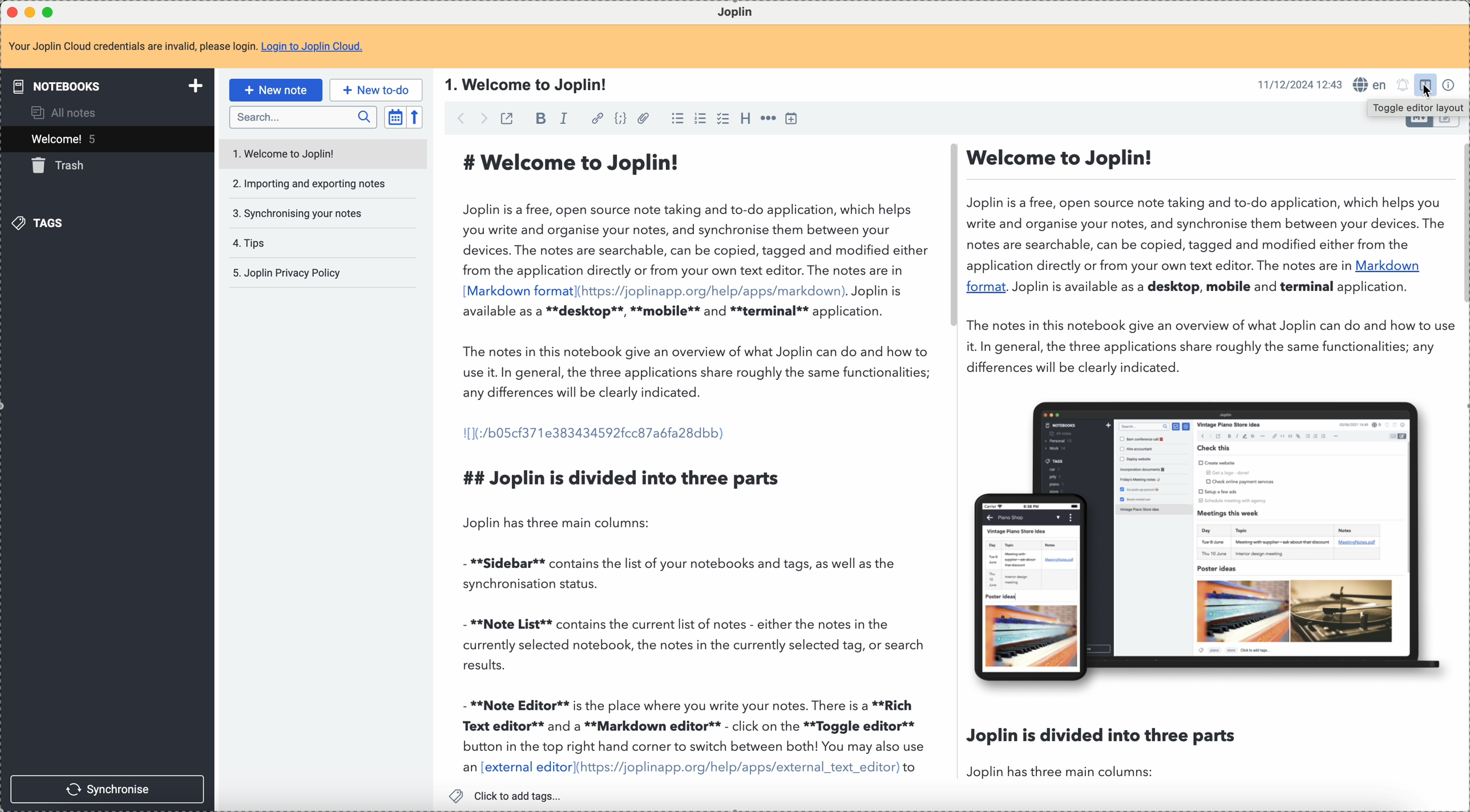  What do you see at coordinates (697, 644) in the screenshot?
I see `- **Note List** contains the current list of notes - either the notes in the
currently selected notebook, the notes in the currently selected tag, or search
results.` at bounding box center [697, 644].